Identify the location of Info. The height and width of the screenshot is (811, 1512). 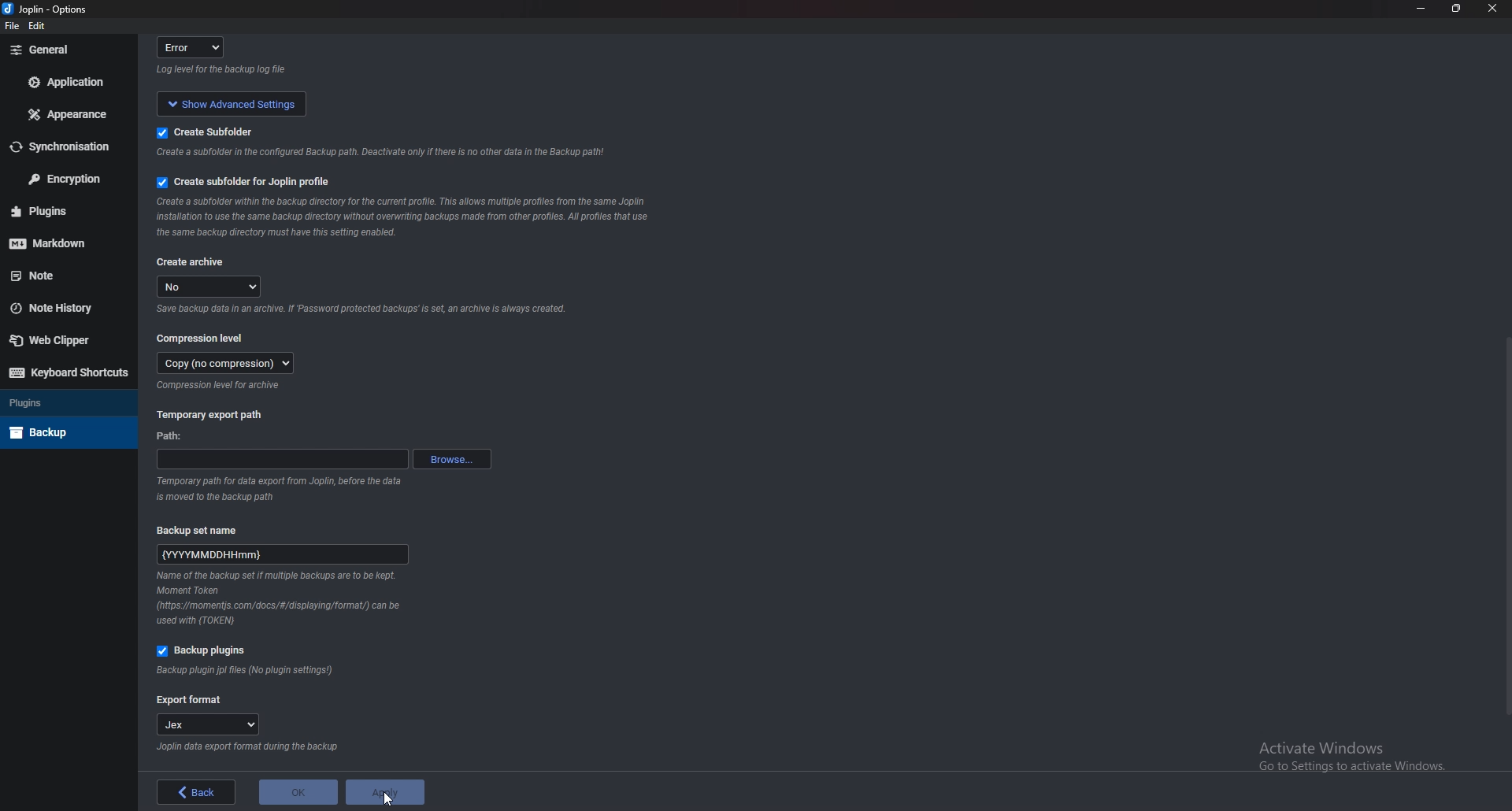
(402, 218).